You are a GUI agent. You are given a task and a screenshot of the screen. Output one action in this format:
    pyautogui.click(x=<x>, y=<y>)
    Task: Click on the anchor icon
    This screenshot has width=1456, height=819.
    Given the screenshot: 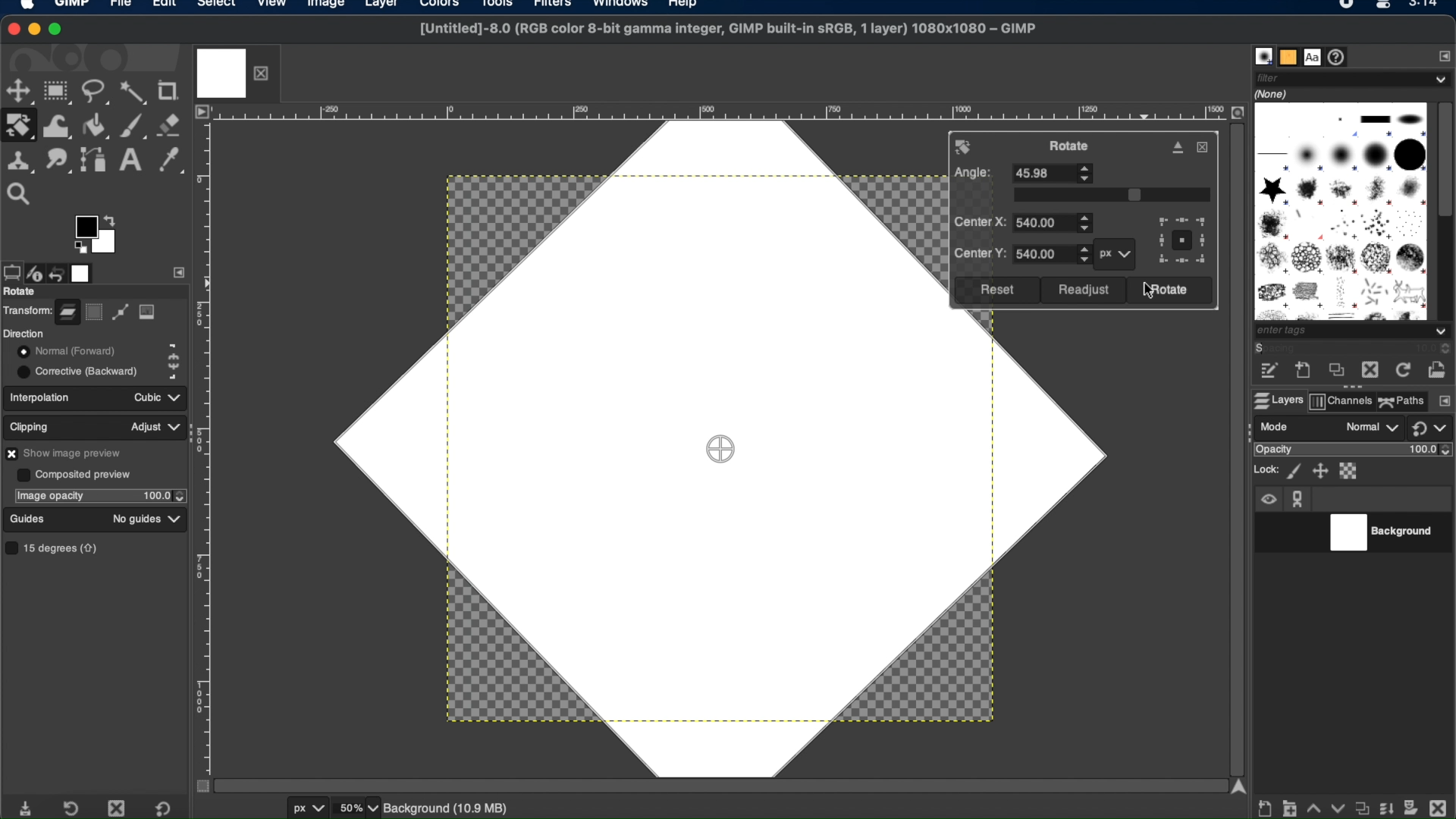 What is the action you would take?
    pyautogui.click(x=1299, y=499)
    